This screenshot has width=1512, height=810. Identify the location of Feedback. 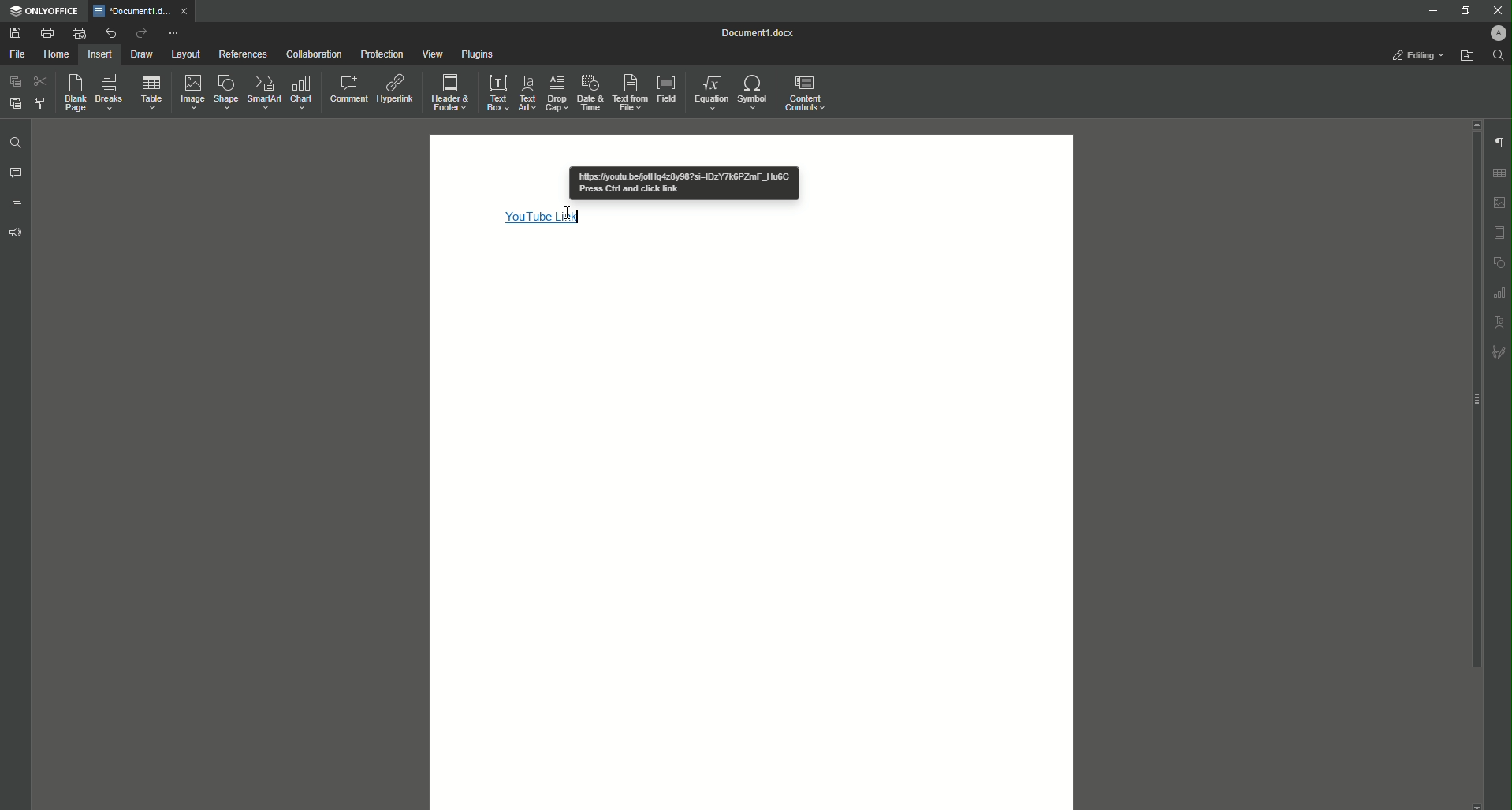
(16, 232).